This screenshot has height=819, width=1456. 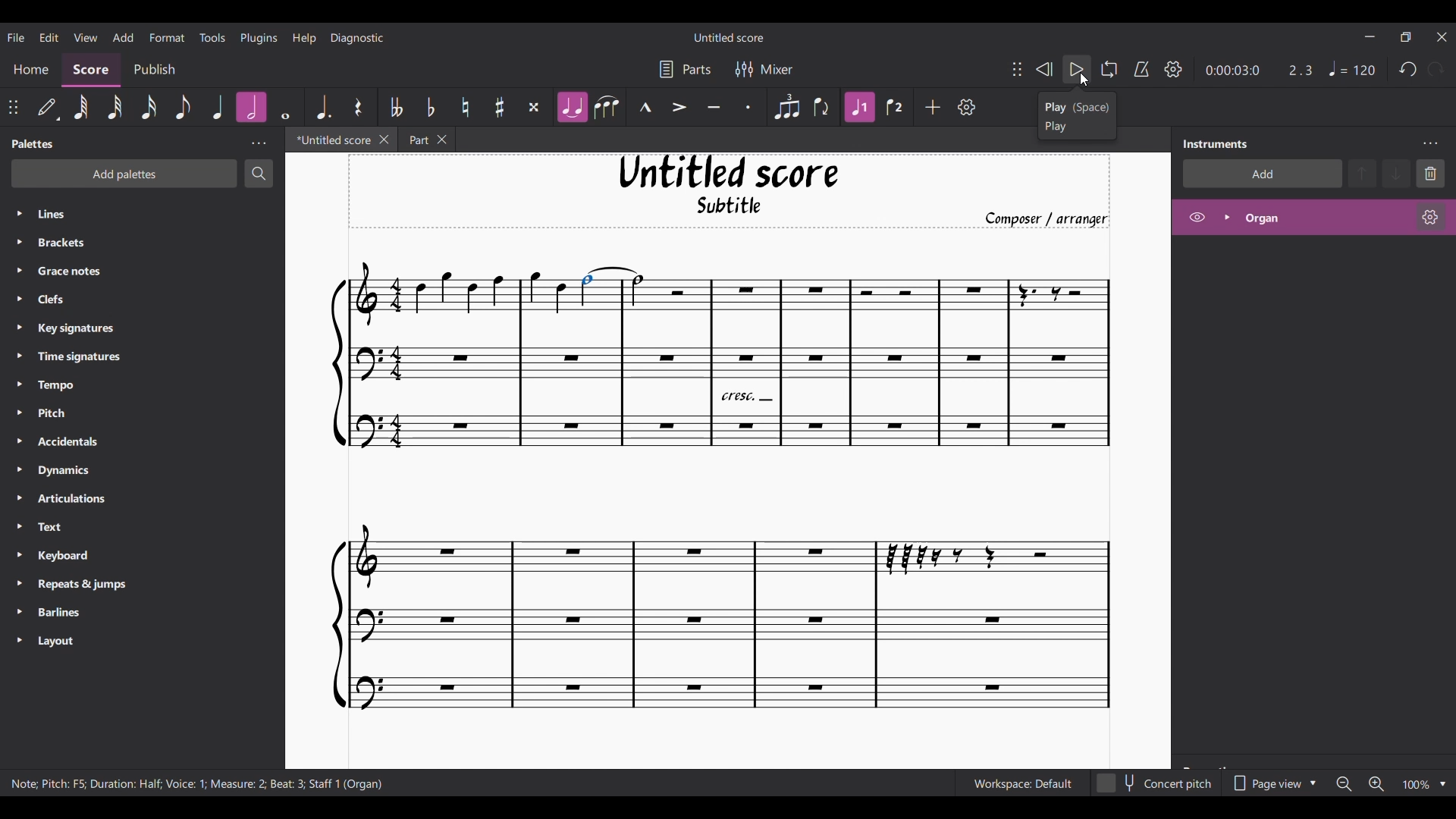 I want to click on Description of current selection by cursor, so click(x=1078, y=115).